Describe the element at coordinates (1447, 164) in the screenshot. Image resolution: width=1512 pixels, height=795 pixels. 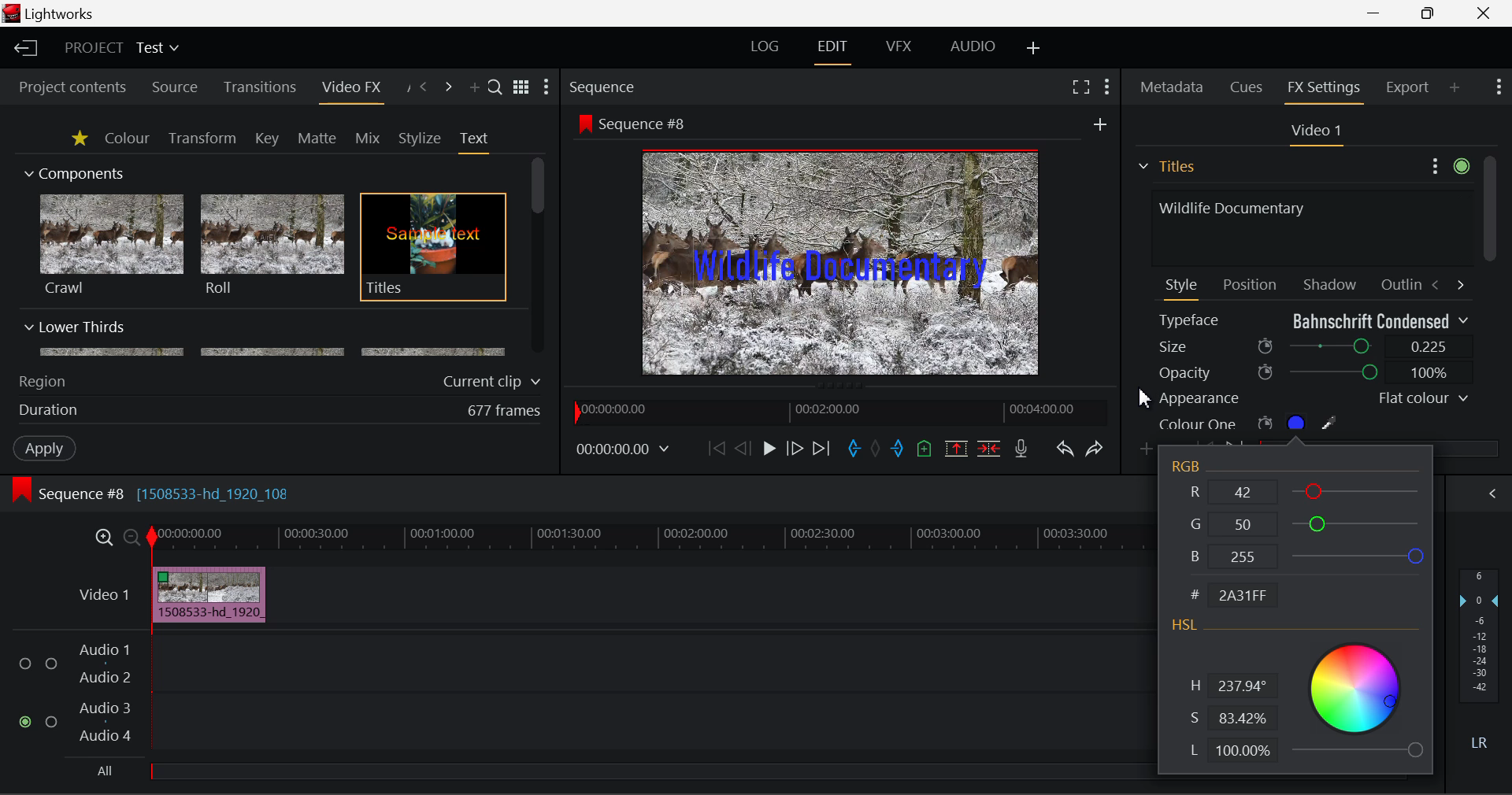
I see `Settings` at that location.